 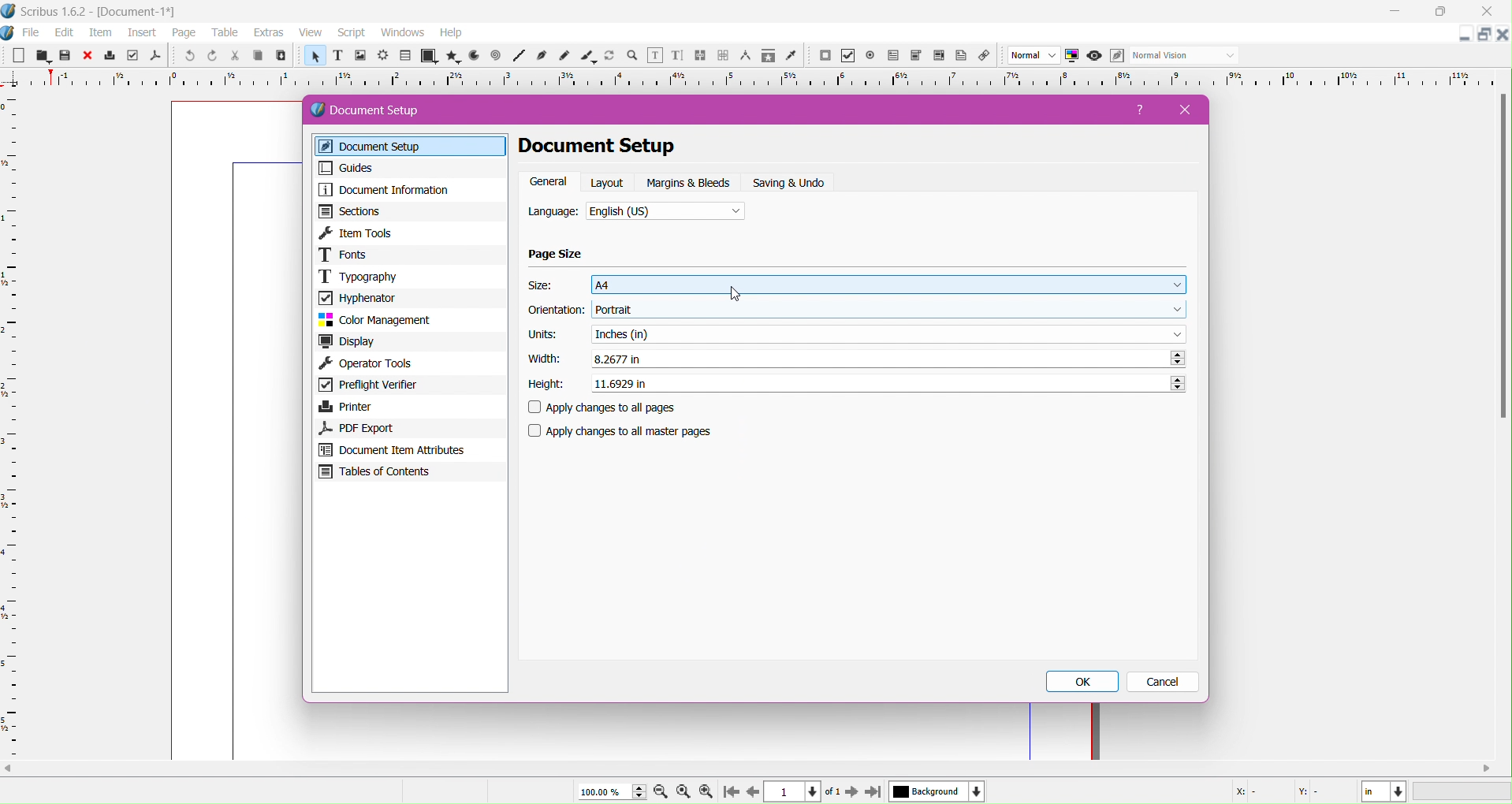 I want to click on link text frames, so click(x=700, y=56).